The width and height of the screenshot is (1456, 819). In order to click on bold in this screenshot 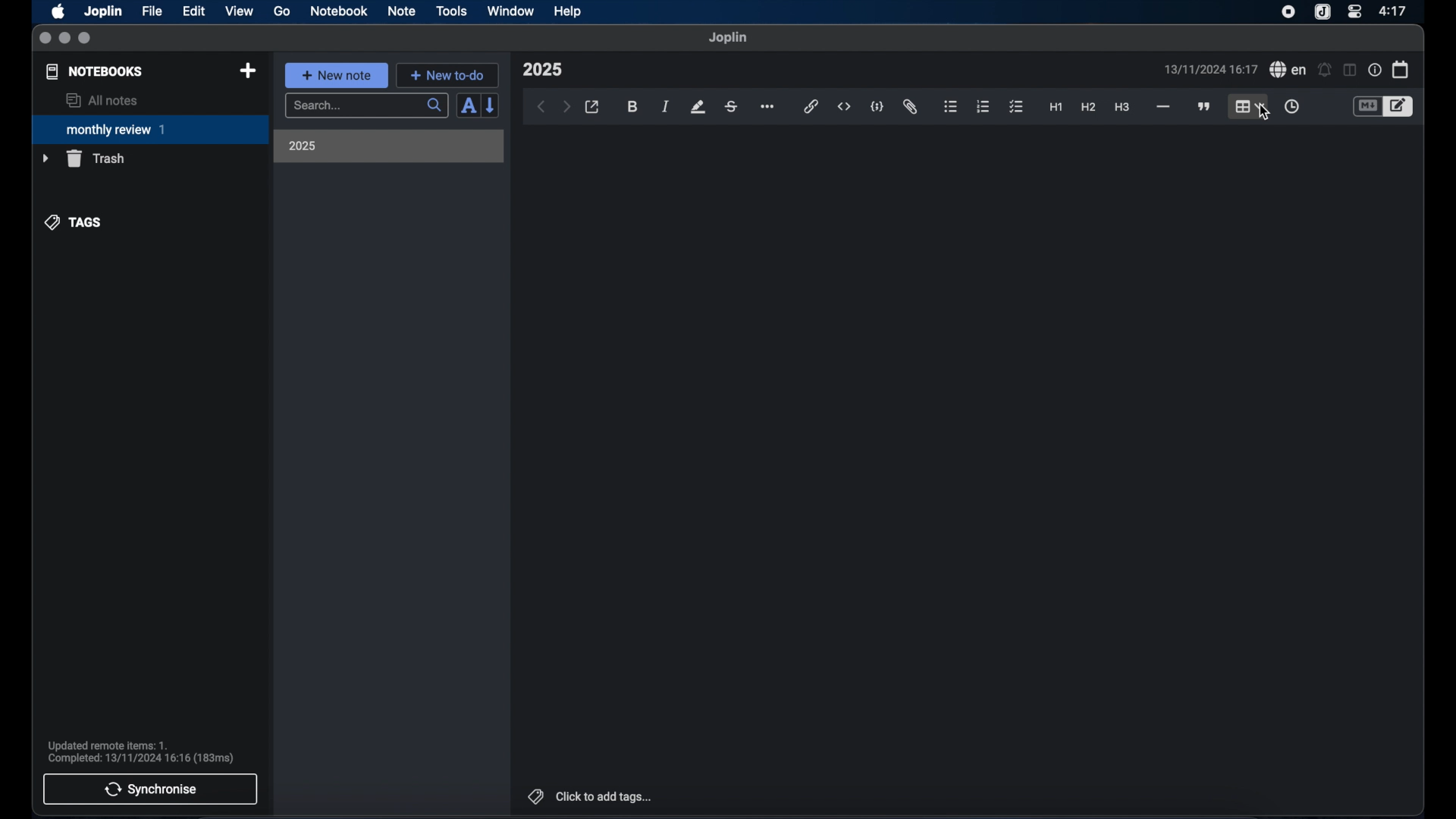, I will do `click(634, 107)`.